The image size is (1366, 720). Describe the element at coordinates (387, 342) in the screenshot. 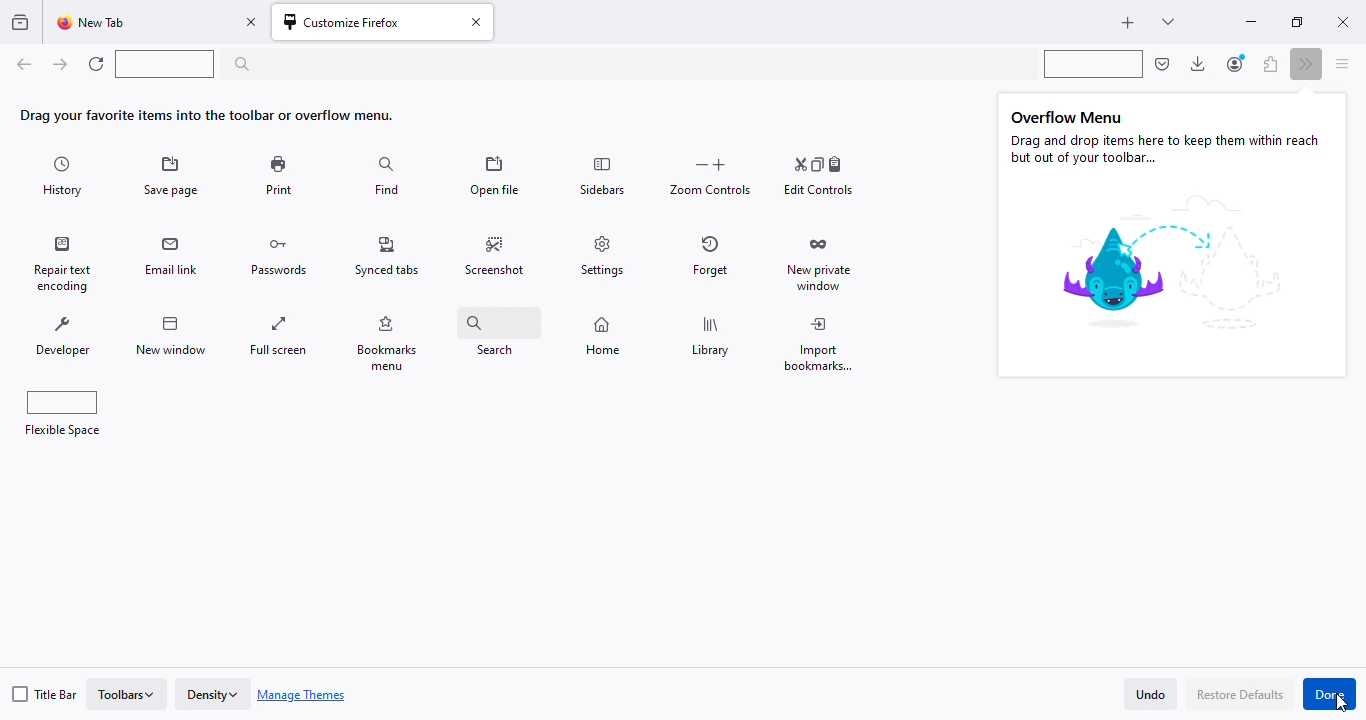

I see `bookmarks menu` at that location.